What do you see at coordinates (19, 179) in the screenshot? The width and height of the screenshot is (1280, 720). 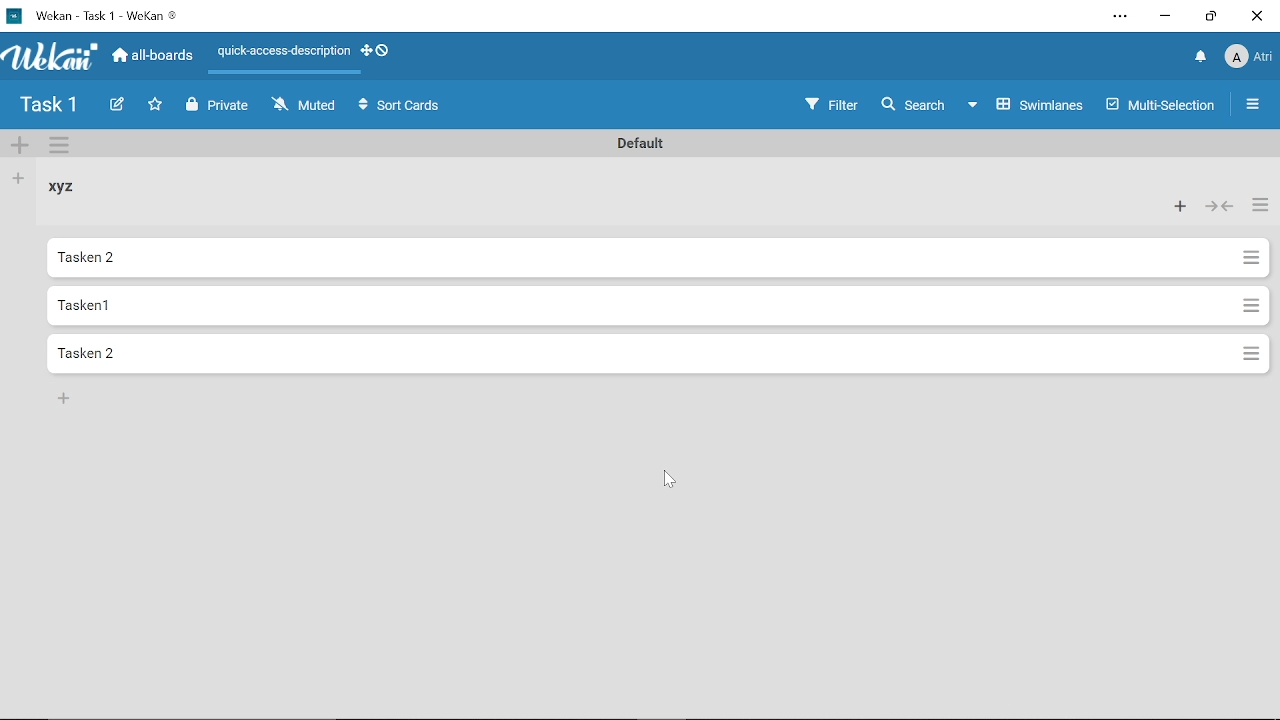 I see `Add list` at bounding box center [19, 179].